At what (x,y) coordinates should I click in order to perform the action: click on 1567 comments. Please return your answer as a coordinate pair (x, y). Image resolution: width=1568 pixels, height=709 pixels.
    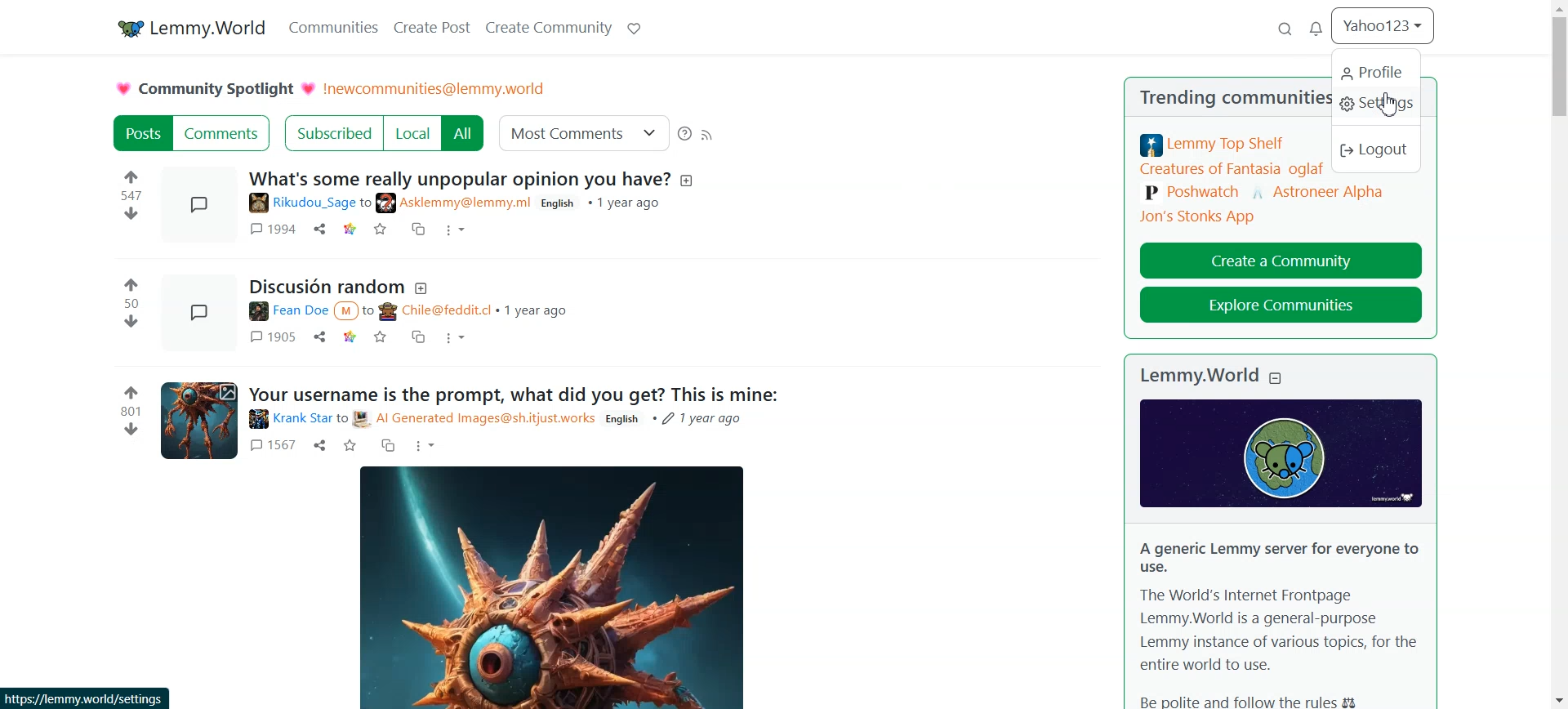
    Looking at the image, I should click on (273, 447).